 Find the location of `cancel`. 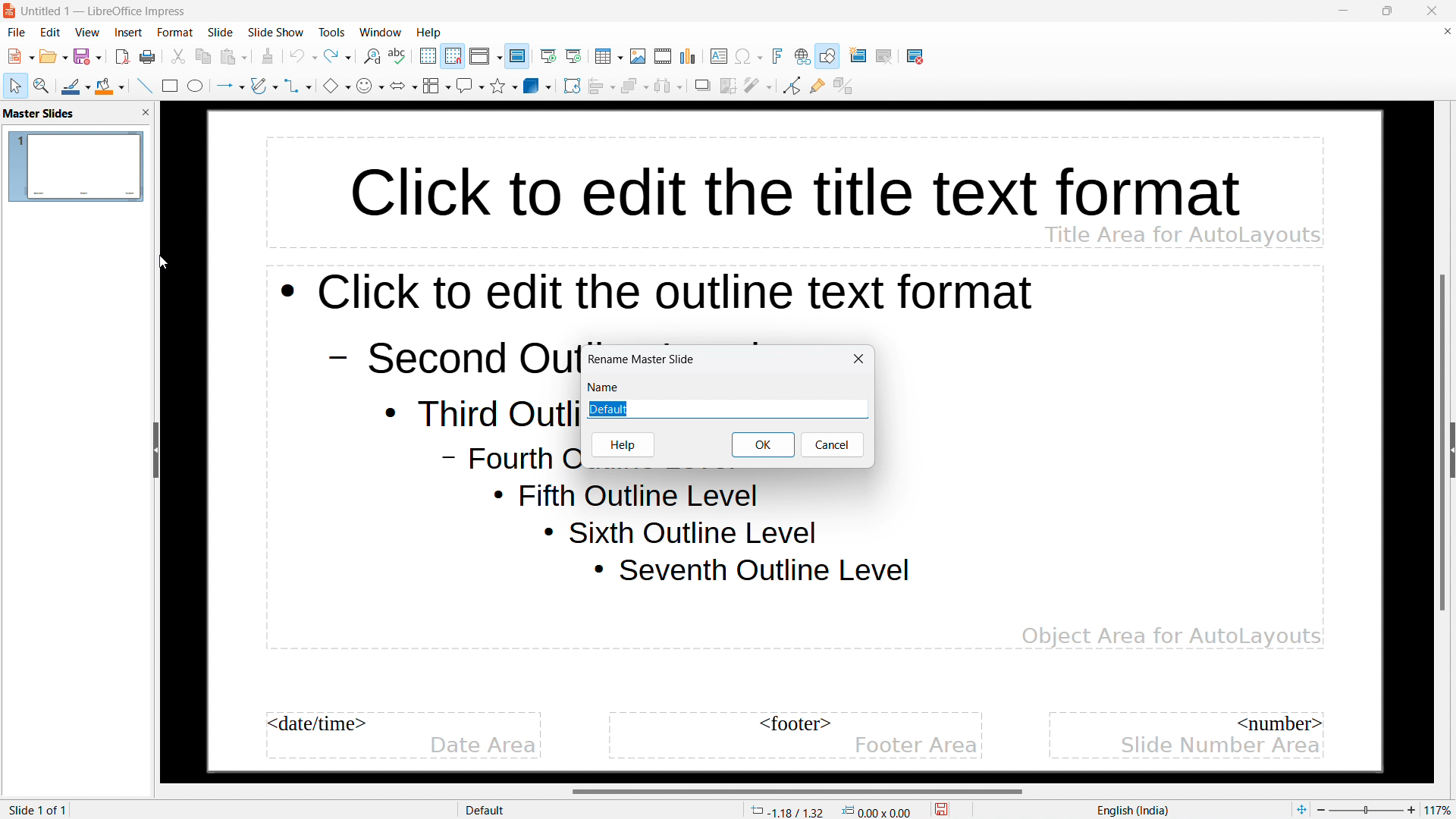

cancel is located at coordinates (833, 444).